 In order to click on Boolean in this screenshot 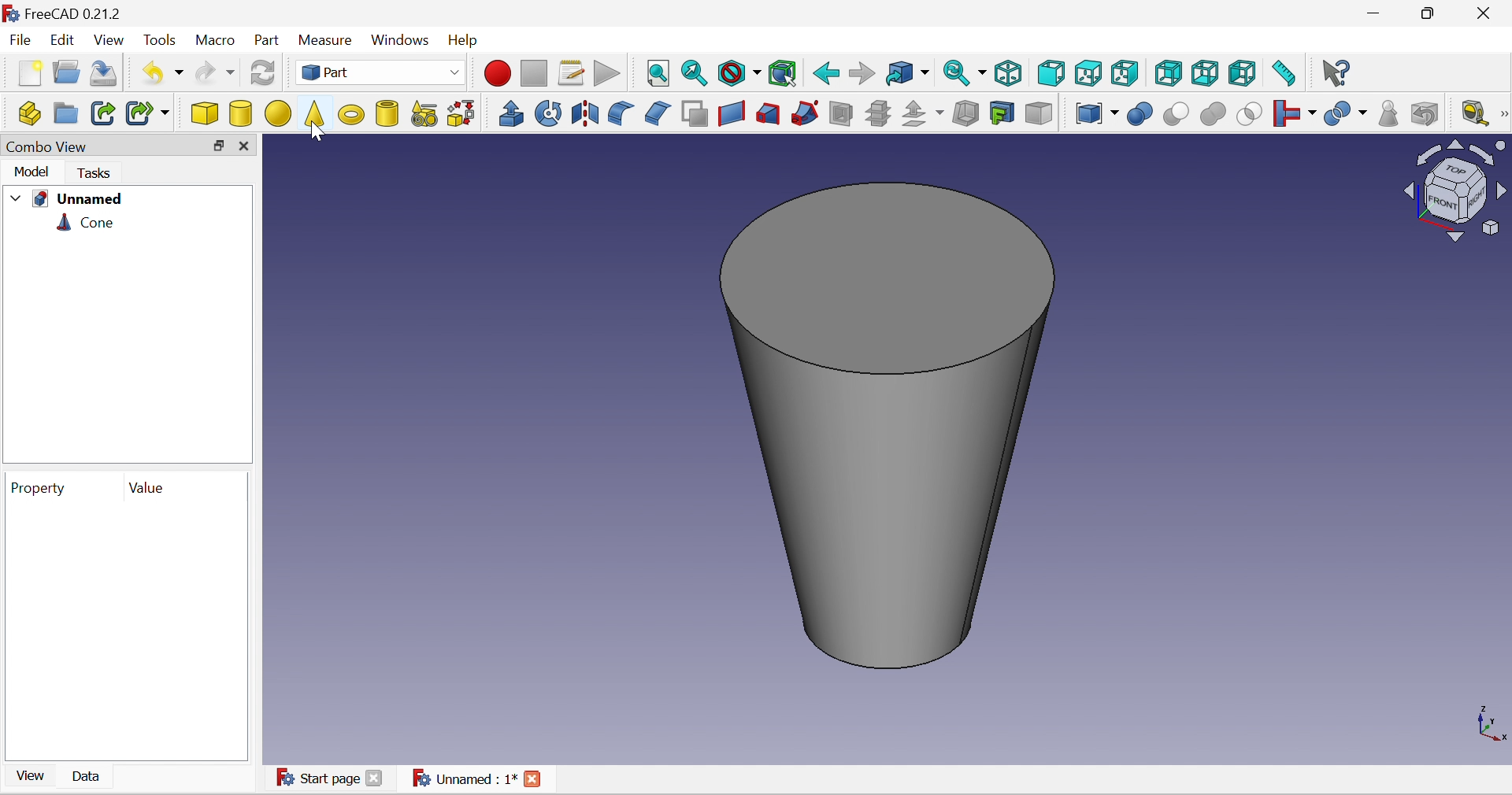, I will do `click(1140, 113)`.